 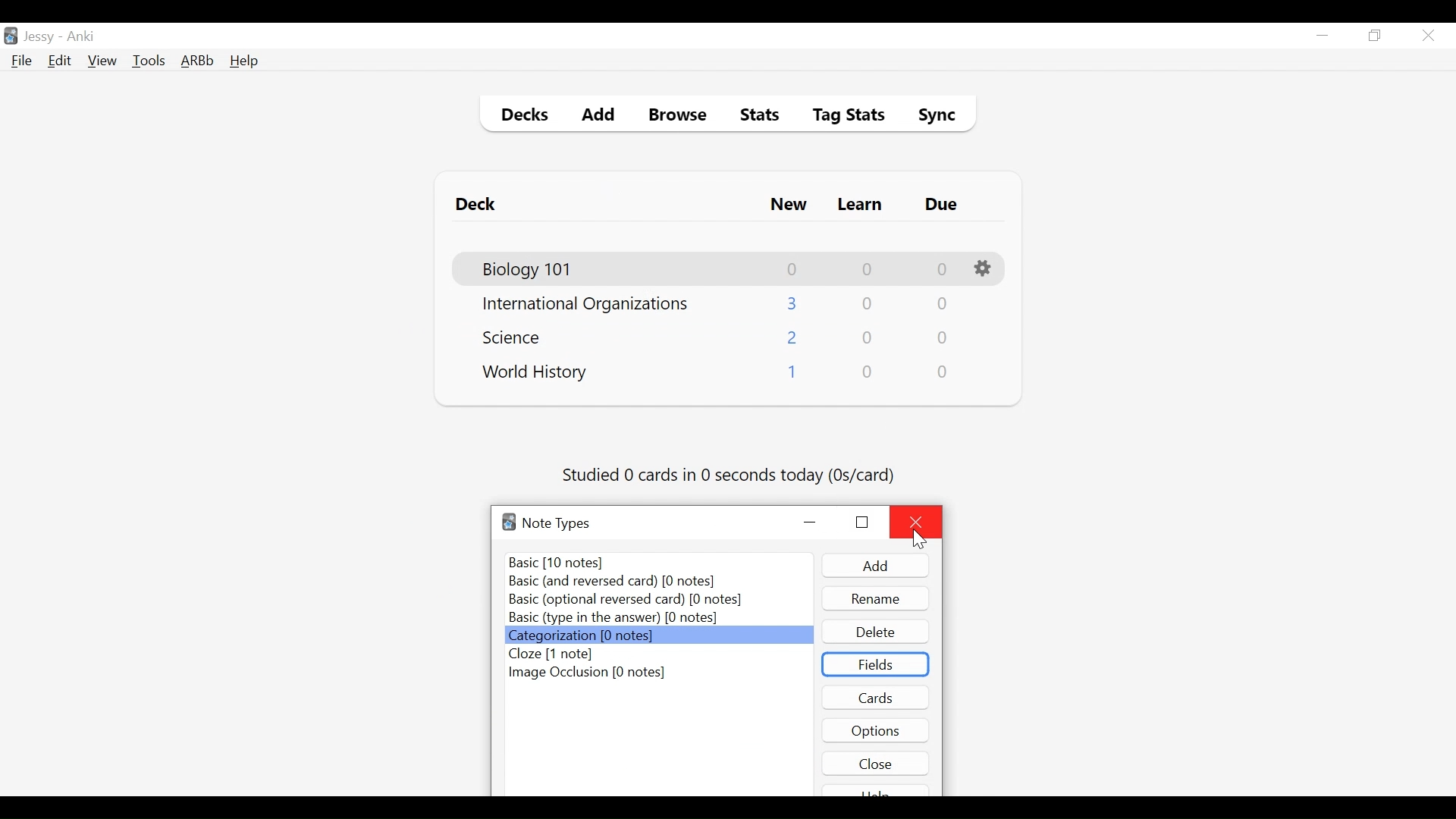 I want to click on Due Card Count, so click(x=941, y=306).